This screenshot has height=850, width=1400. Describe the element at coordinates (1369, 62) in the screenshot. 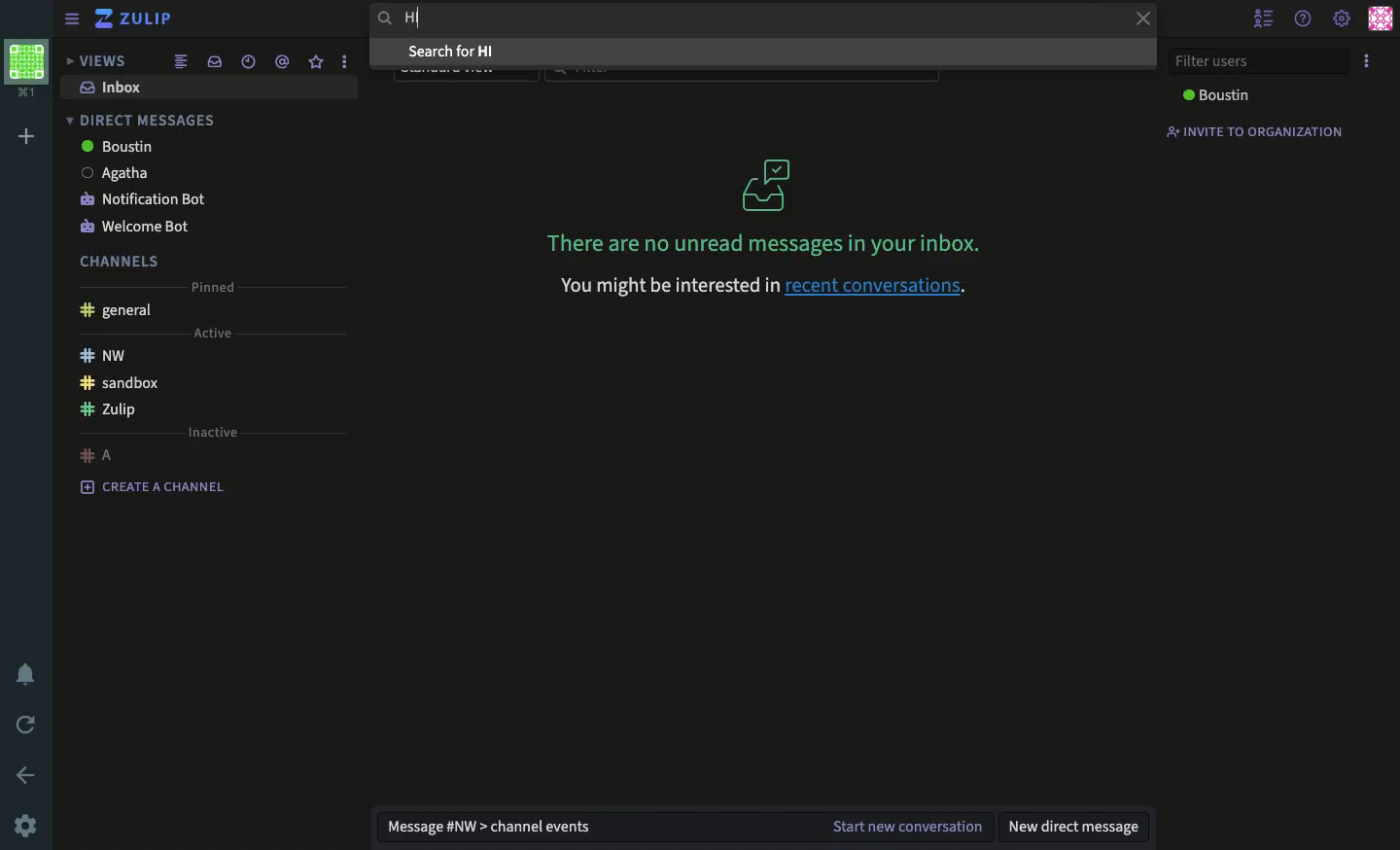

I see `options` at that location.